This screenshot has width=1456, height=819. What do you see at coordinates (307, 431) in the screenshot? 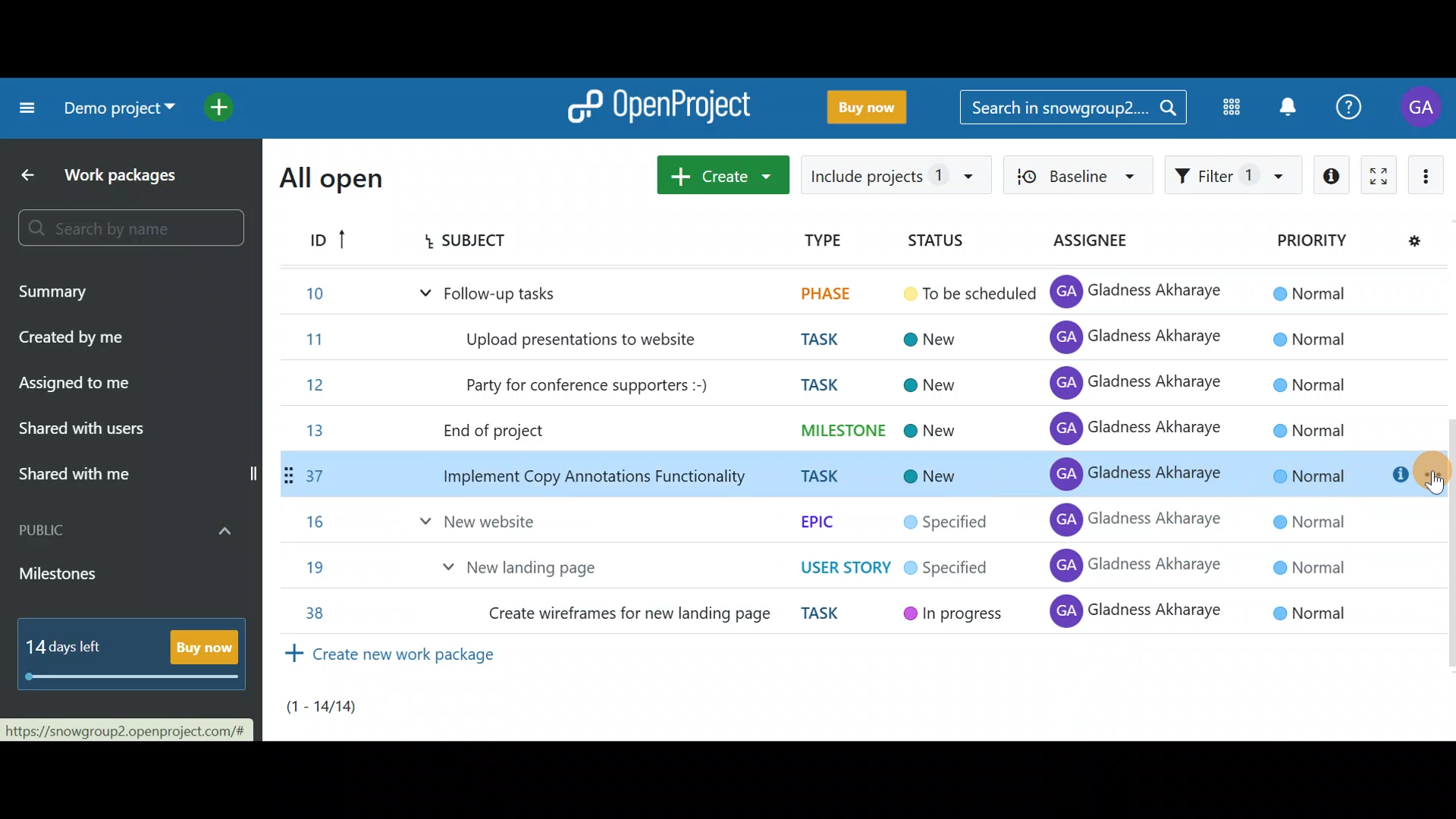
I see `13` at bounding box center [307, 431].